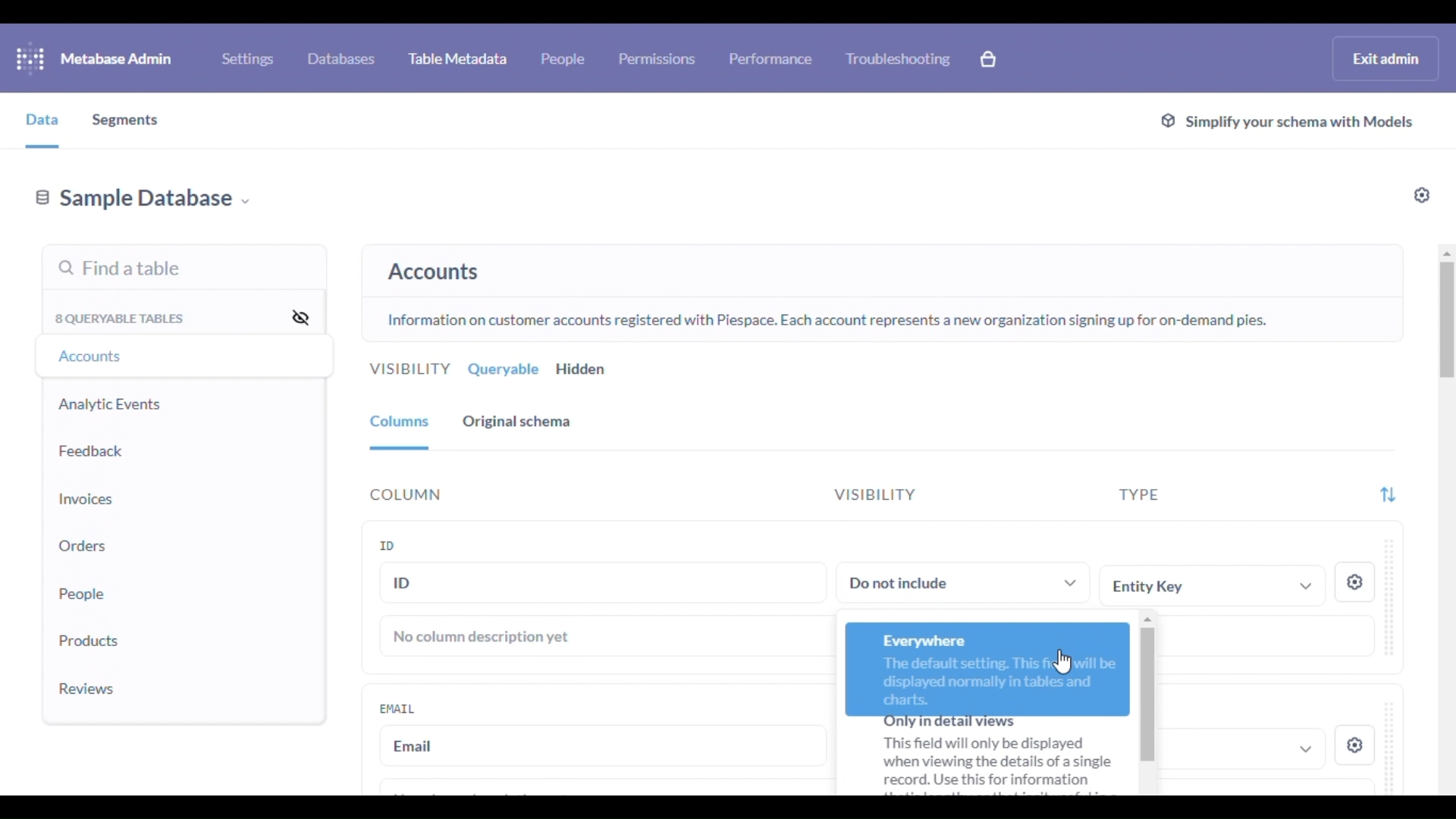 The width and height of the screenshot is (1456, 819). Describe the element at coordinates (143, 200) in the screenshot. I see `sample database` at that location.